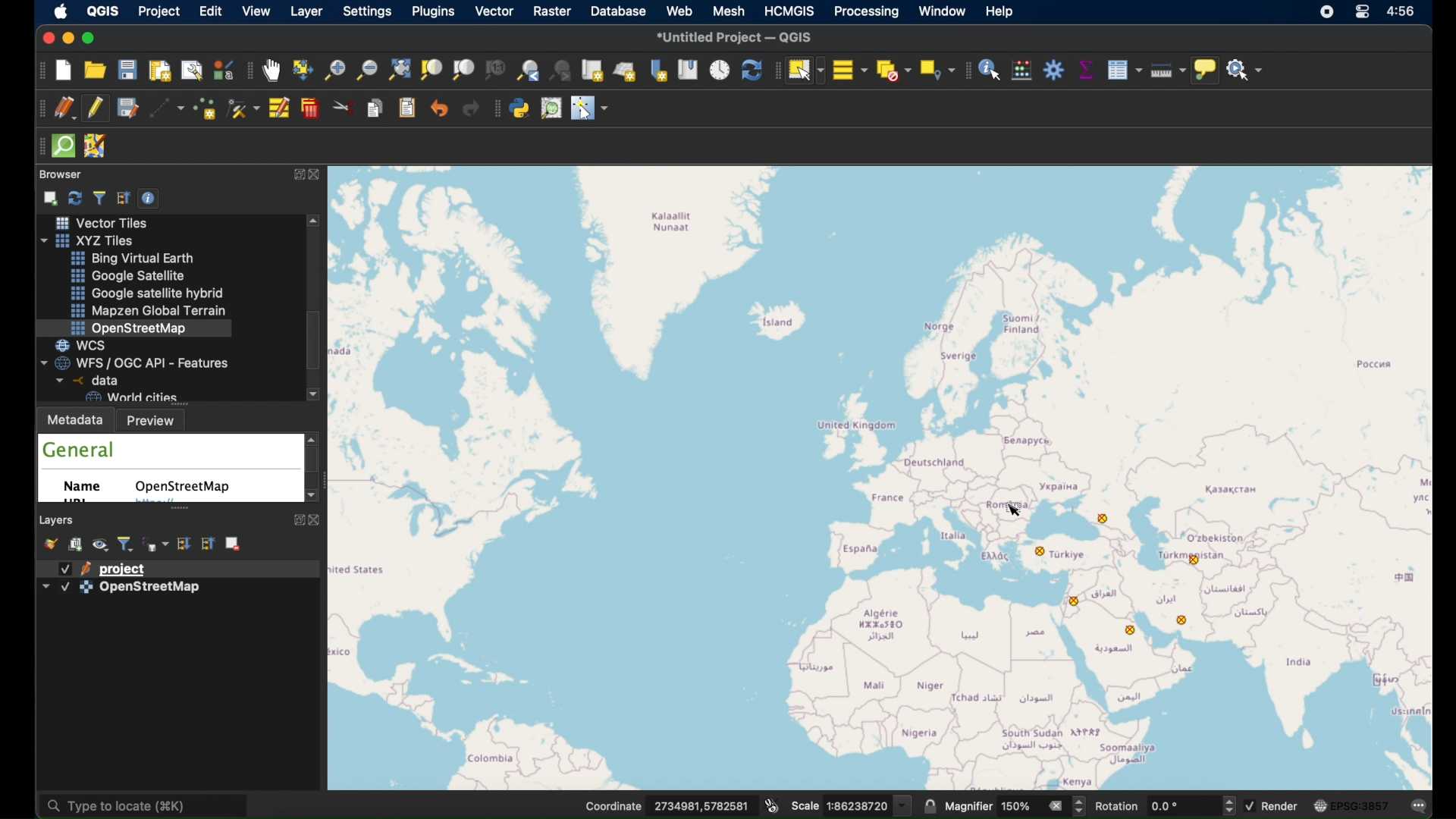 The width and height of the screenshot is (1456, 819). I want to click on HCMGIS, so click(789, 11).